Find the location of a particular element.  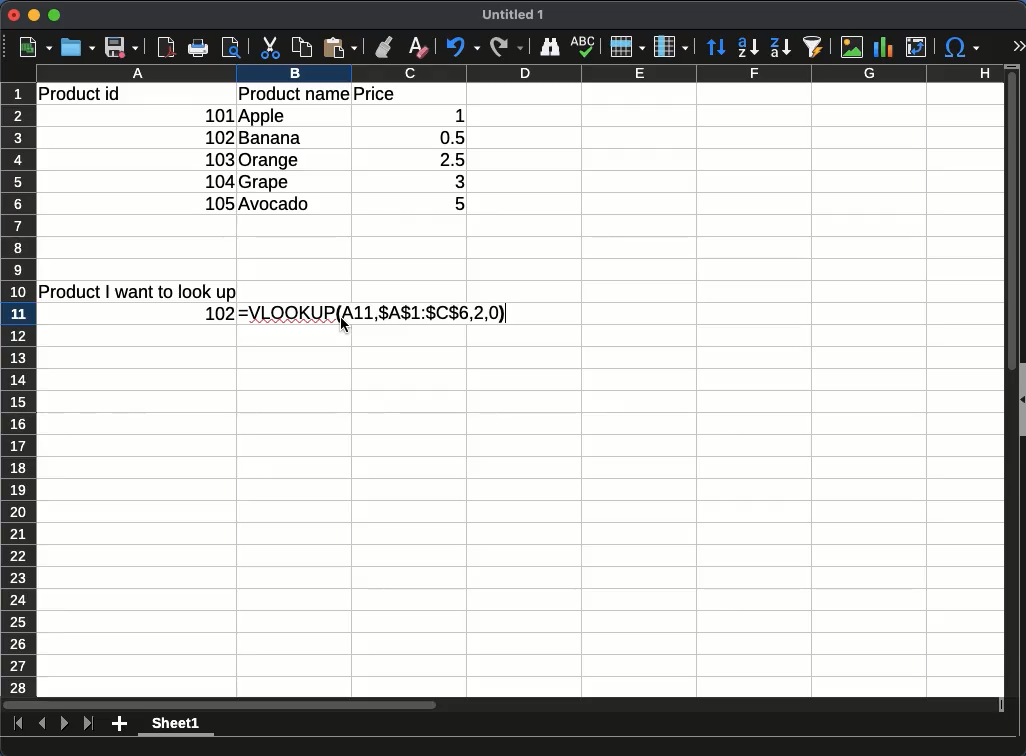

price is located at coordinates (374, 94).